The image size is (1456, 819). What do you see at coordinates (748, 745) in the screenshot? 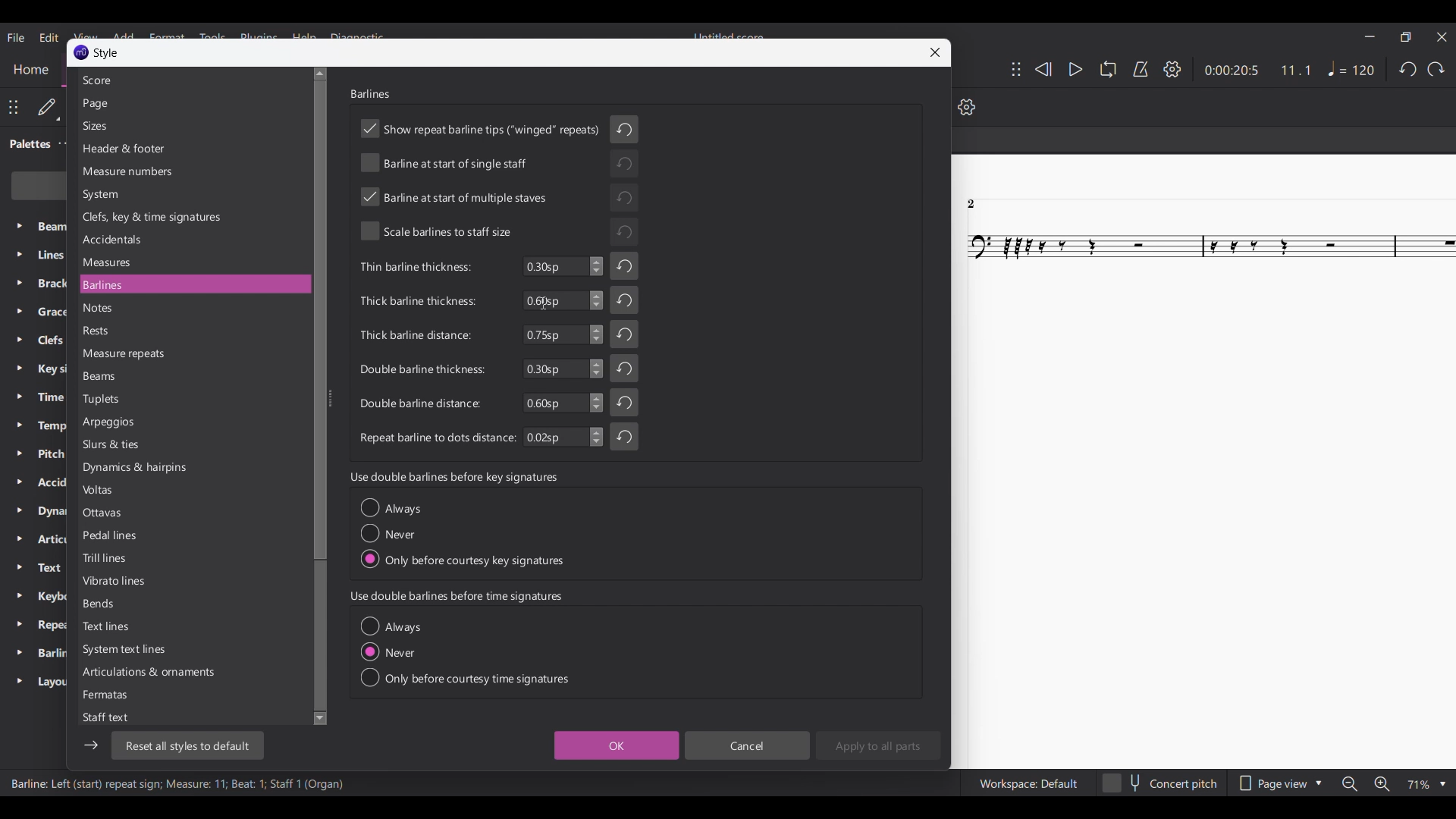
I see `Cancel` at bounding box center [748, 745].